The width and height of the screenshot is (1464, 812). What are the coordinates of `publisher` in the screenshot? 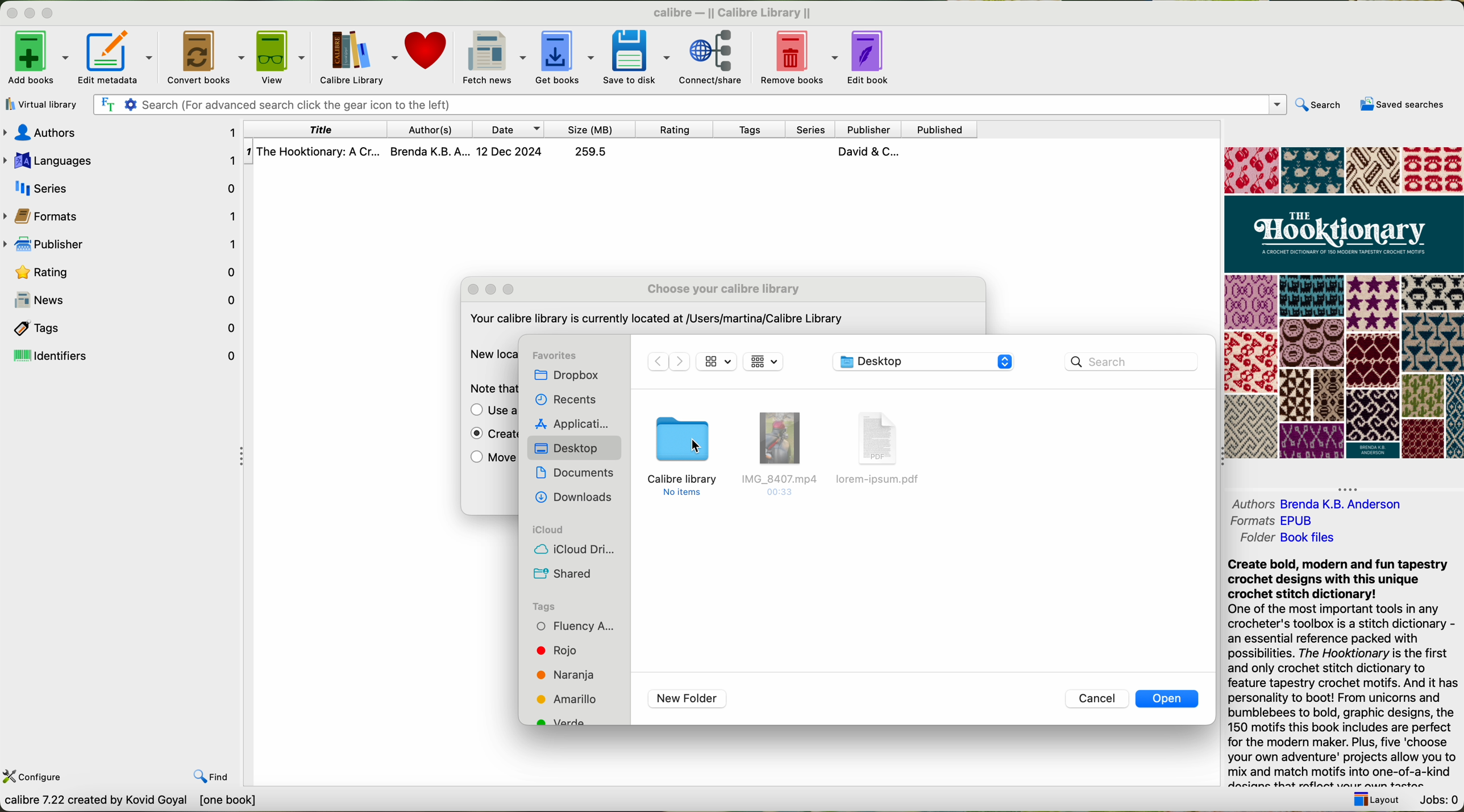 It's located at (873, 127).